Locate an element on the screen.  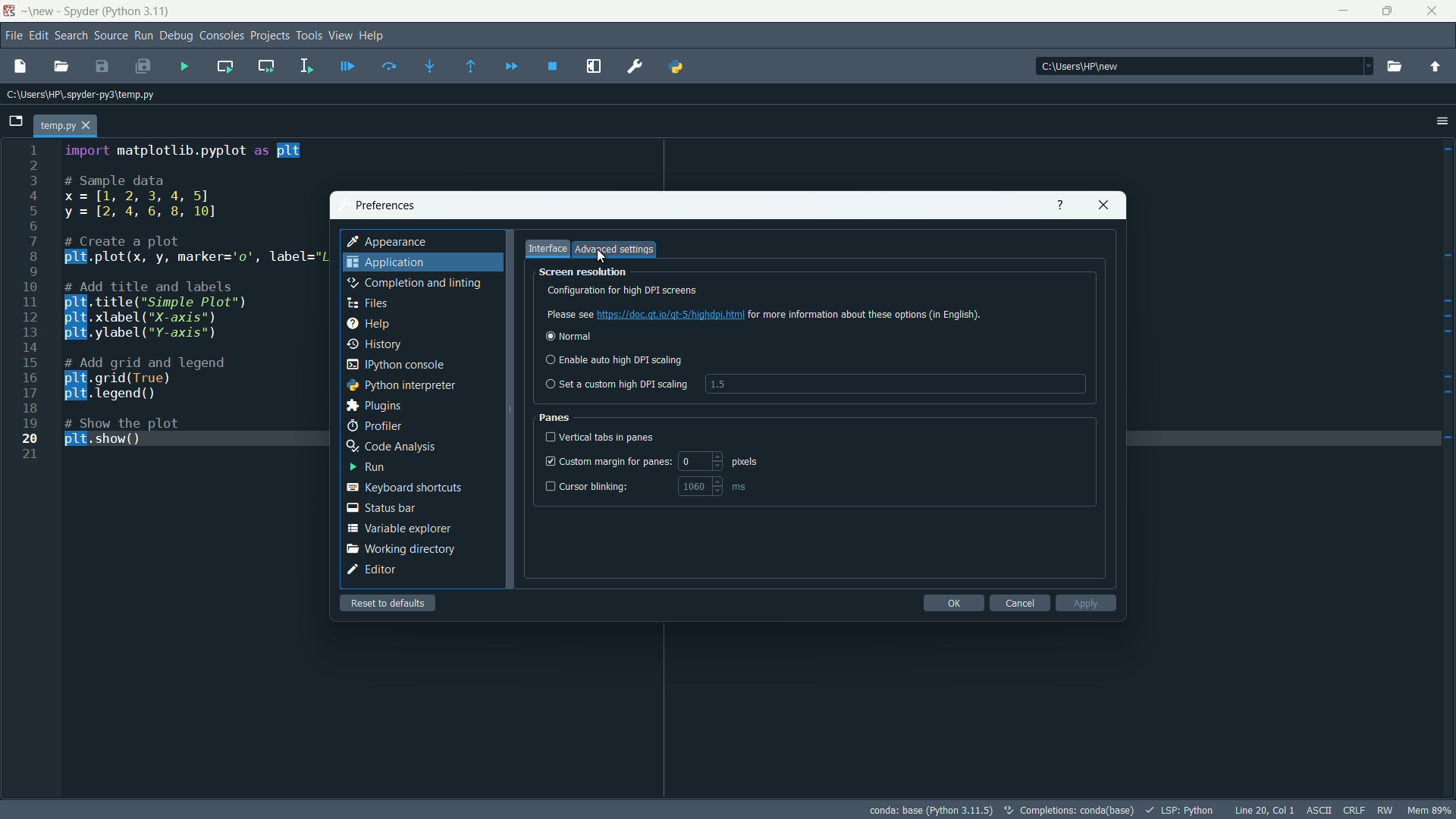
line numbers is located at coordinates (30, 303).